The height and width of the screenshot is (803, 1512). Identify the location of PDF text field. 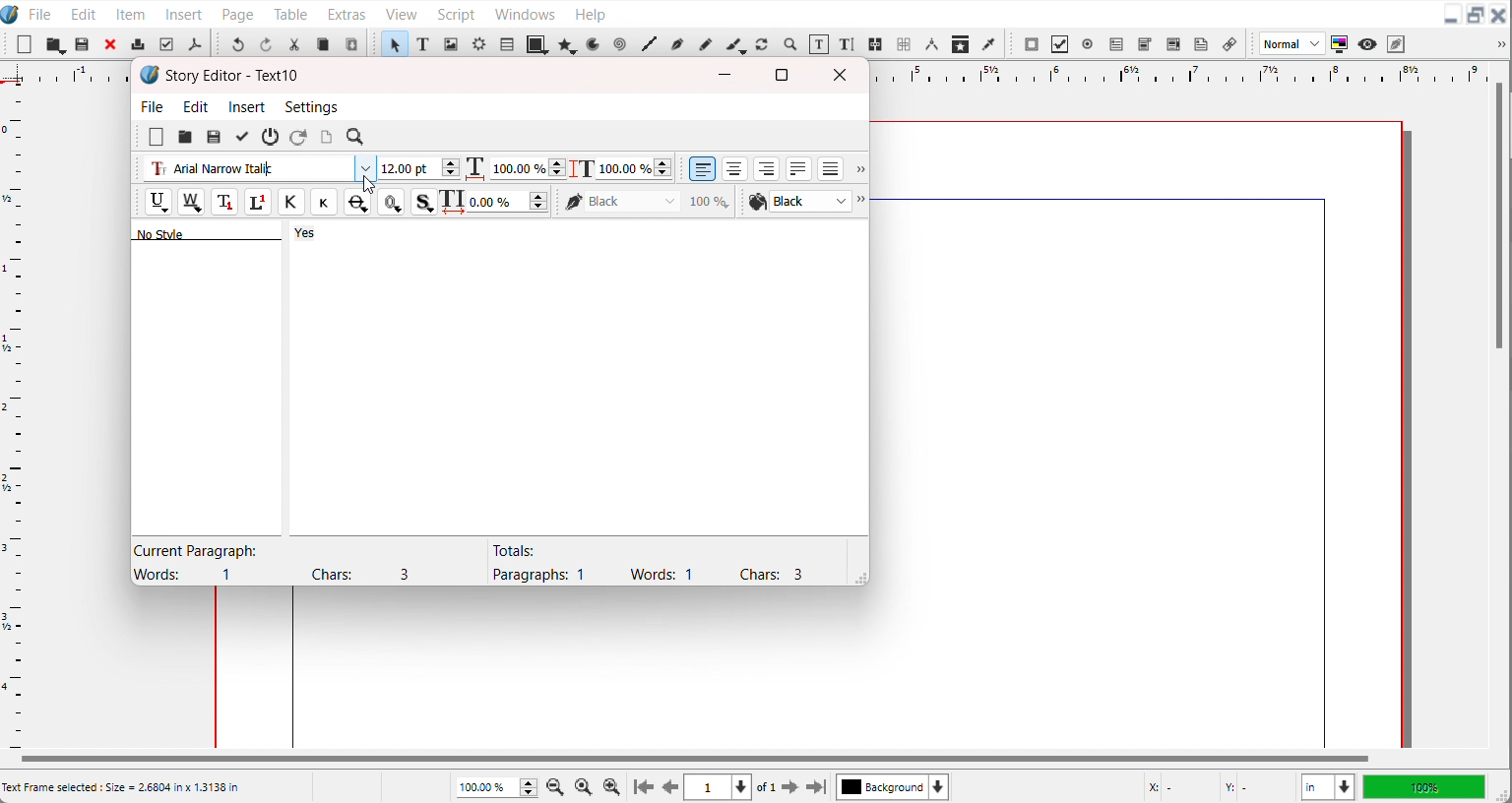
(1115, 45).